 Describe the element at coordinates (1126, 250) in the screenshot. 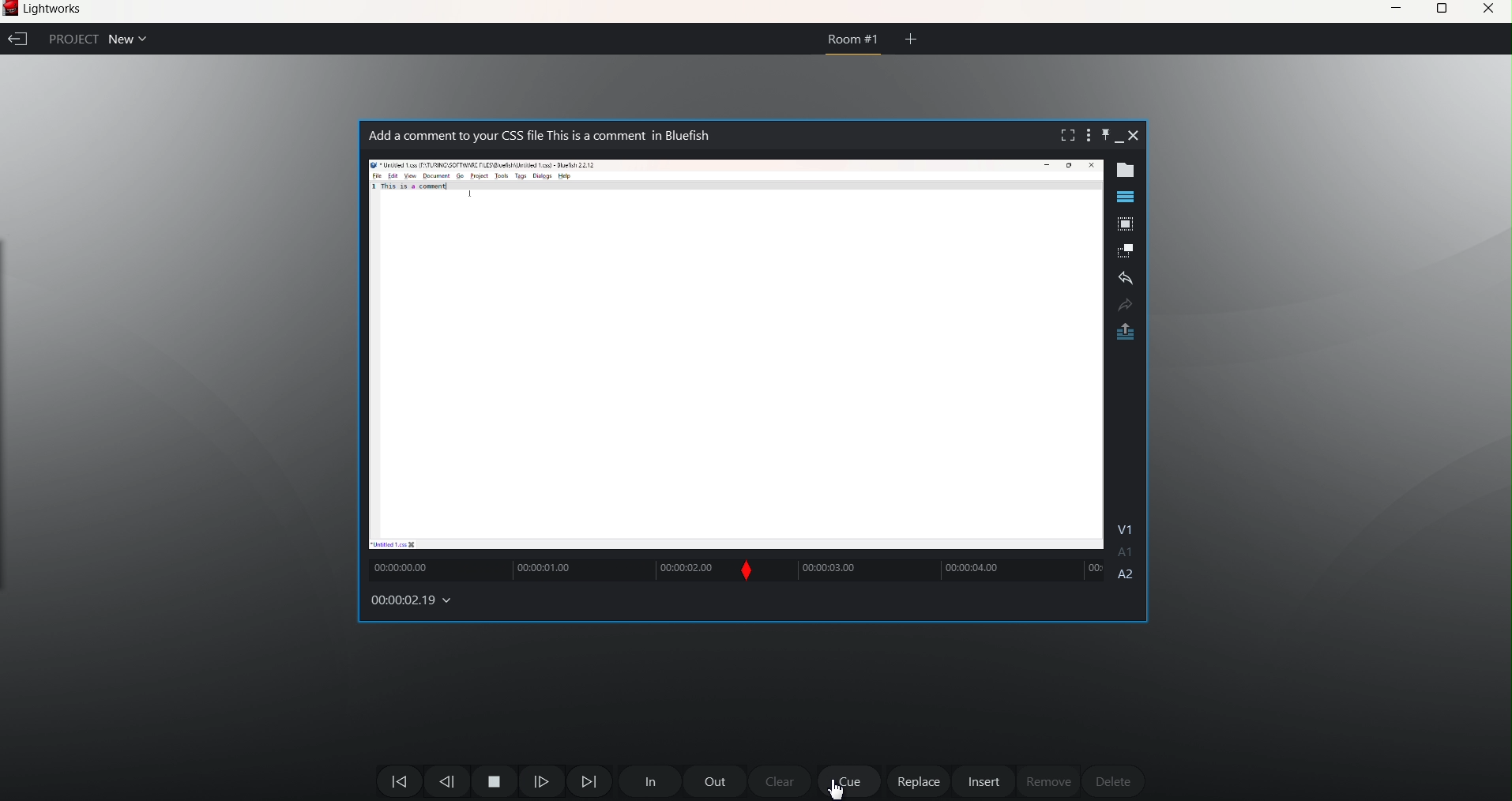

I see `make subclip` at that location.